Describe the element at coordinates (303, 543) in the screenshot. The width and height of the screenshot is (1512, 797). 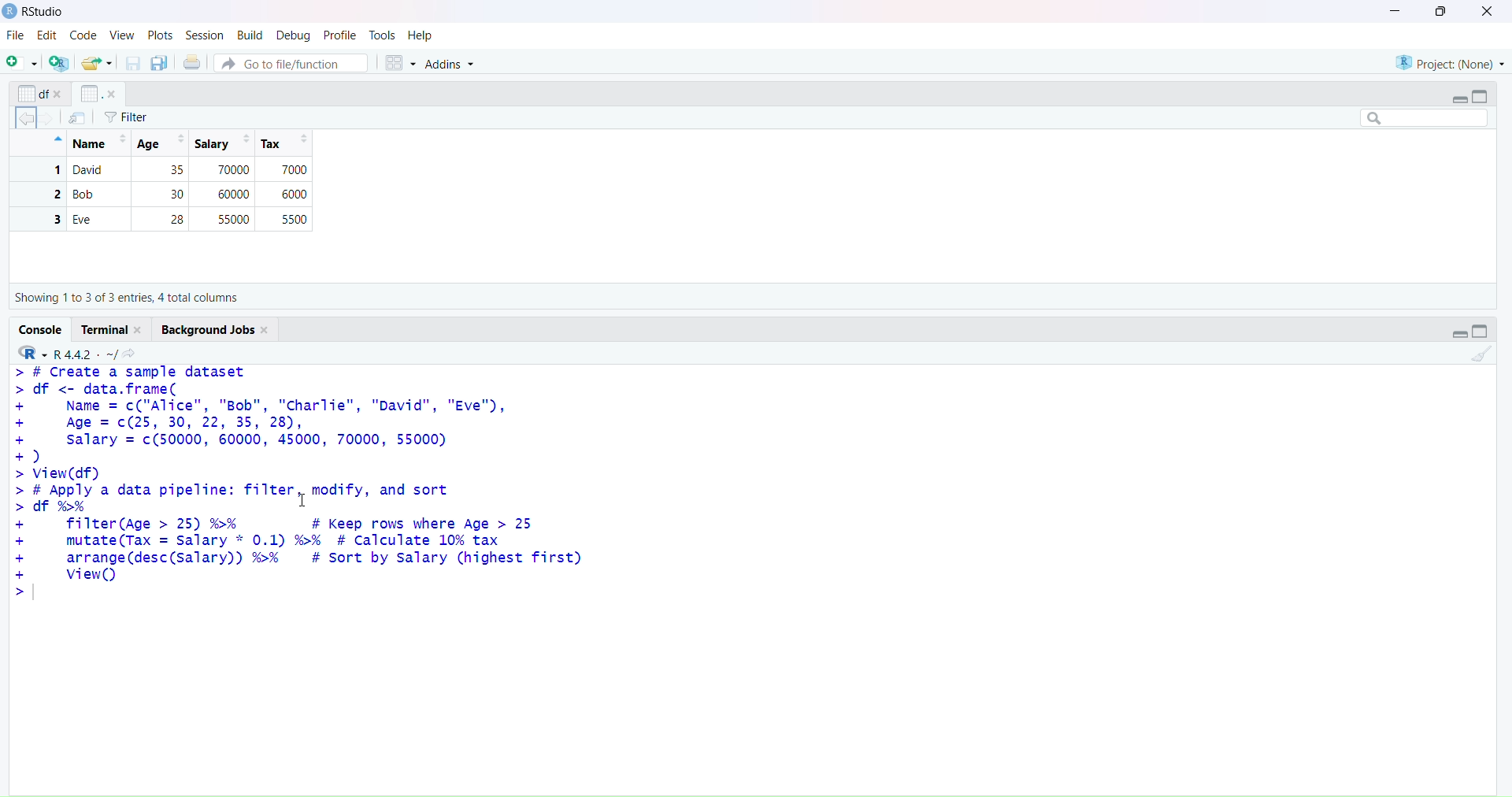
I see `> # Apply a data pipeline: T1lter, moaity, anda sort
df %% T
filter(Age > 25) %% # Keep rows where Age > 25
mutate(Tax = Salary * 0.1) %% # Calculate 10% tax
arrange (desc(Salary)) %% # sort by salary (highest first)
view()` at that location.